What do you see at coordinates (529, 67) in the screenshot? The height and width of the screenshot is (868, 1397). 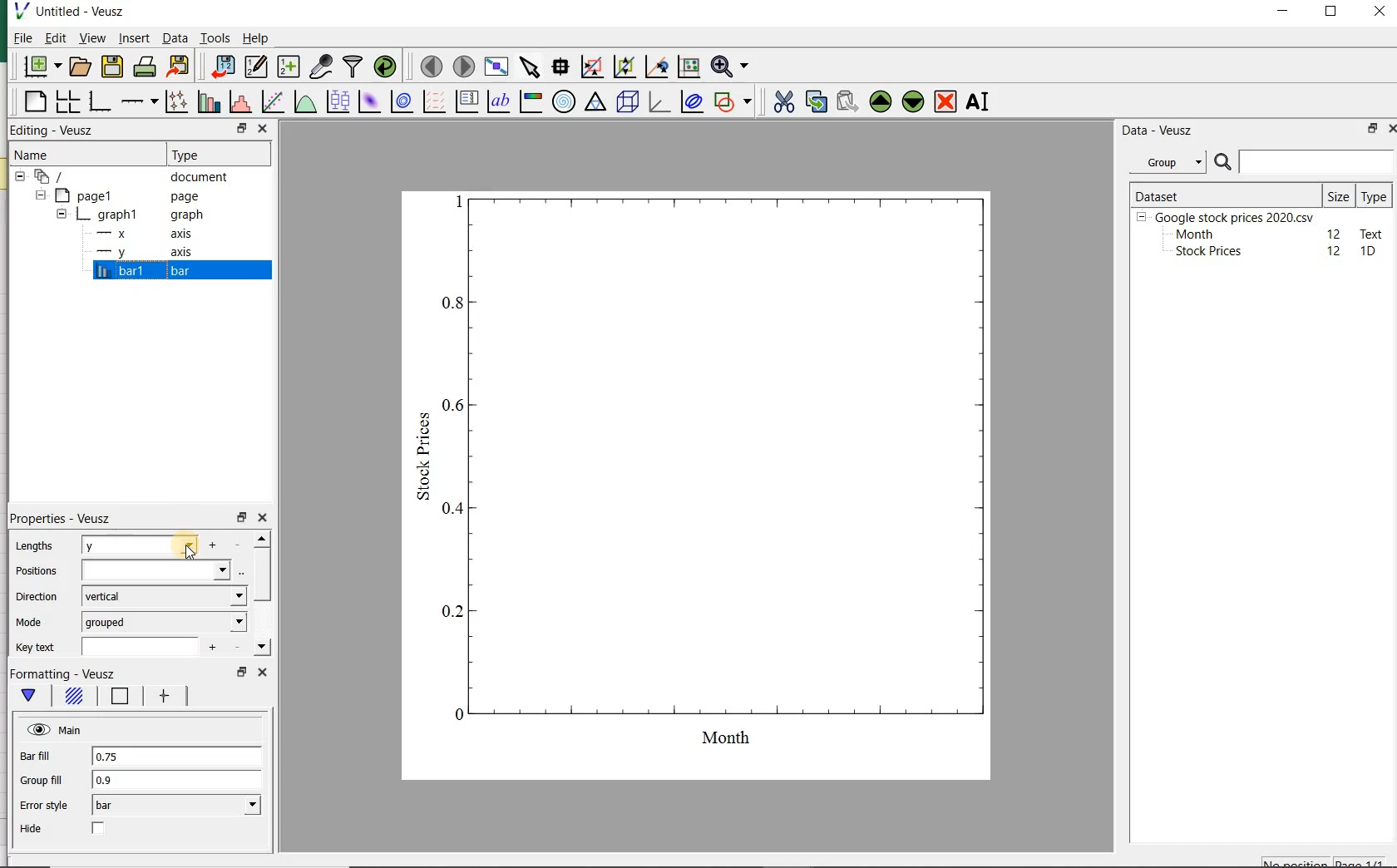 I see `select items from the graph or scroll` at bounding box center [529, 67].